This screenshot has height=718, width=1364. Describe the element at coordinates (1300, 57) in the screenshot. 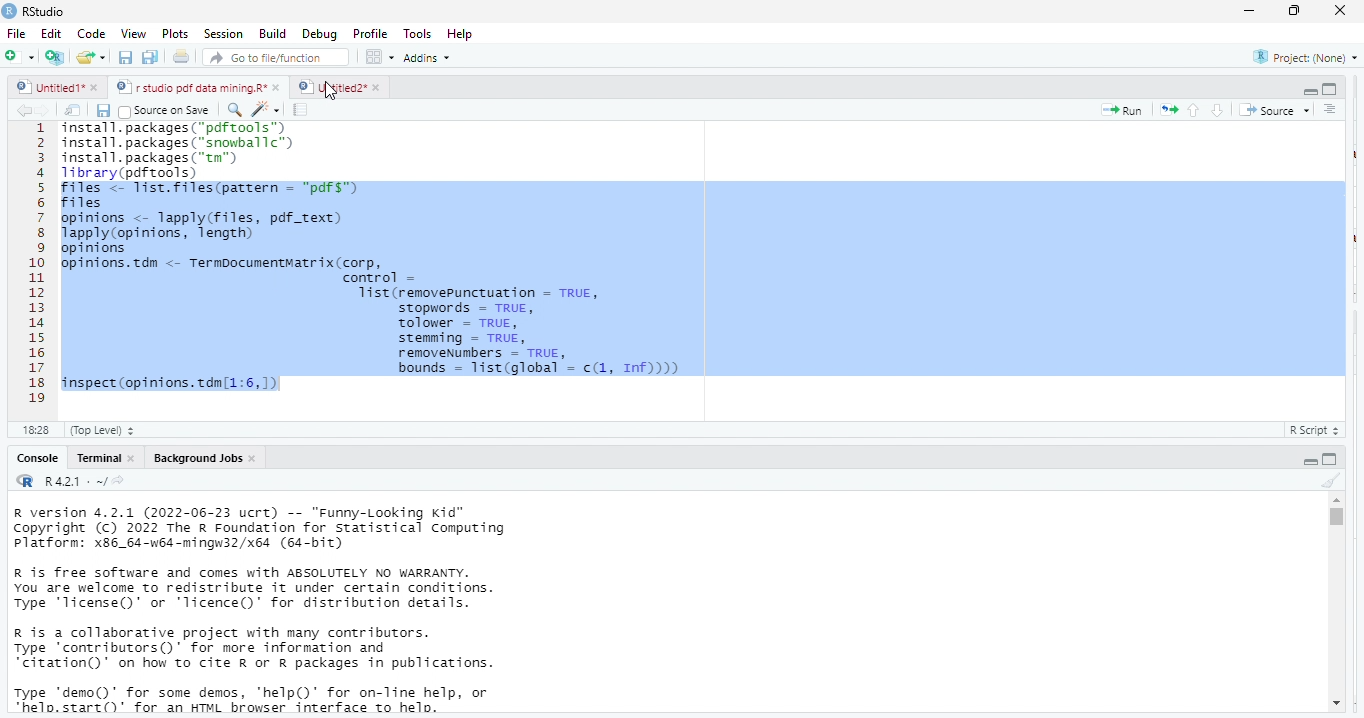

I see `project (none)` at that location.